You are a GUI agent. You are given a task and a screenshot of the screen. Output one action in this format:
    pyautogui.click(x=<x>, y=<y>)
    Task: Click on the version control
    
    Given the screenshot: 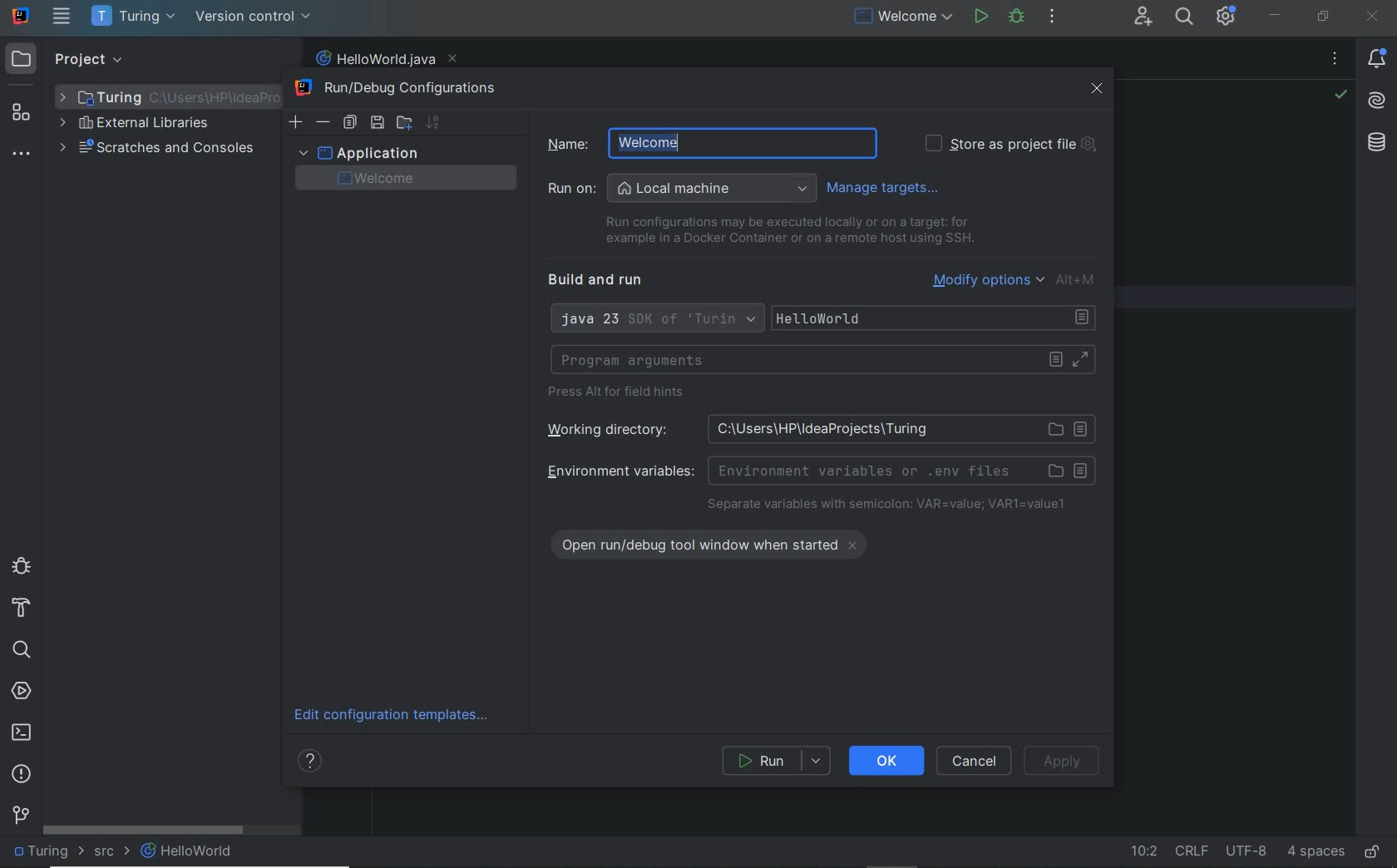 What is the action you would take?
    pyautogui.click(x=21, y=814)
    